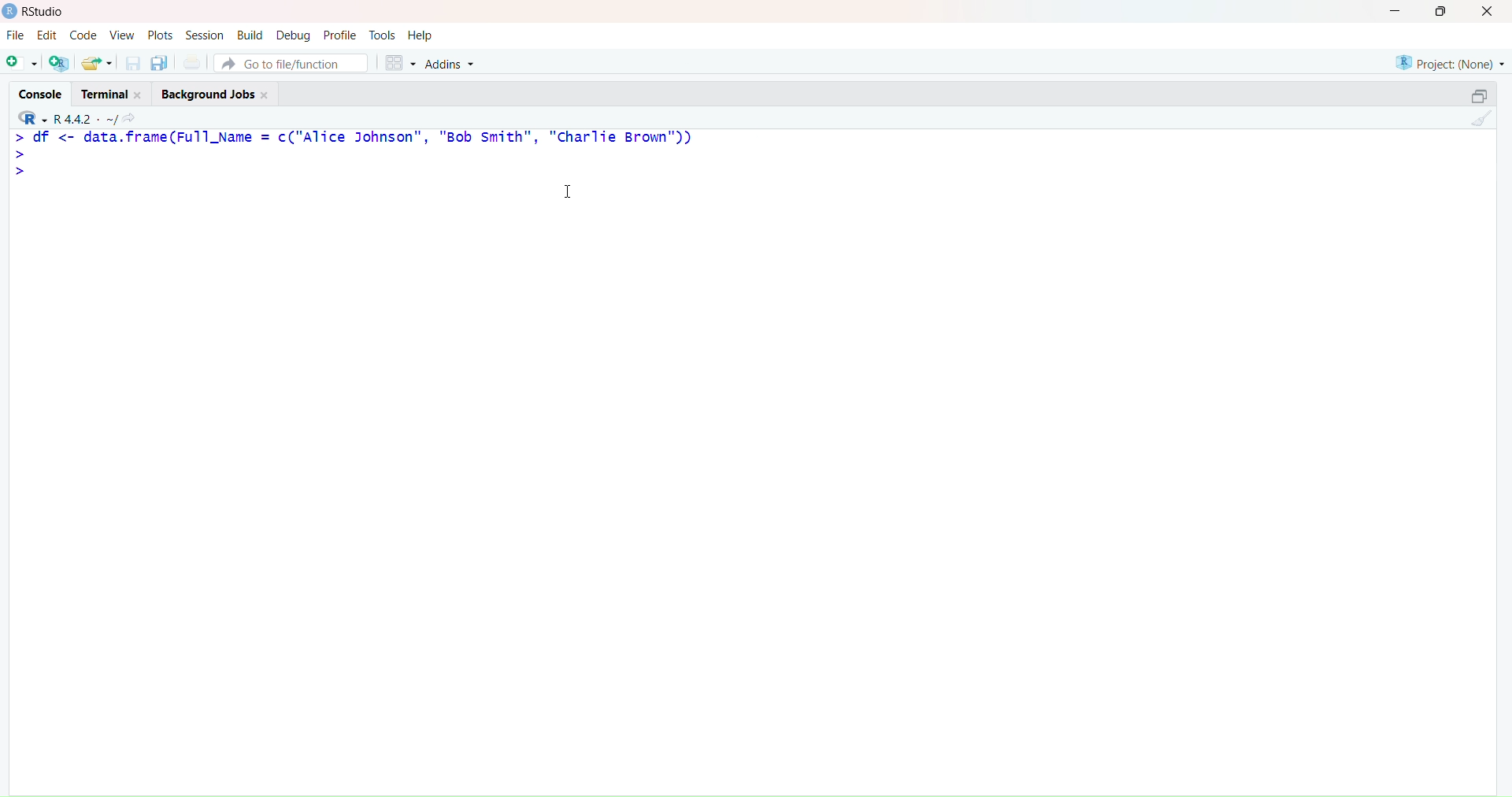 Image resolution: width=1512 pixels, height=797 pixels. What do you see at coordinates (163, 35) in the screenshot?
I see `Plots` at bounding box center [163, 35].